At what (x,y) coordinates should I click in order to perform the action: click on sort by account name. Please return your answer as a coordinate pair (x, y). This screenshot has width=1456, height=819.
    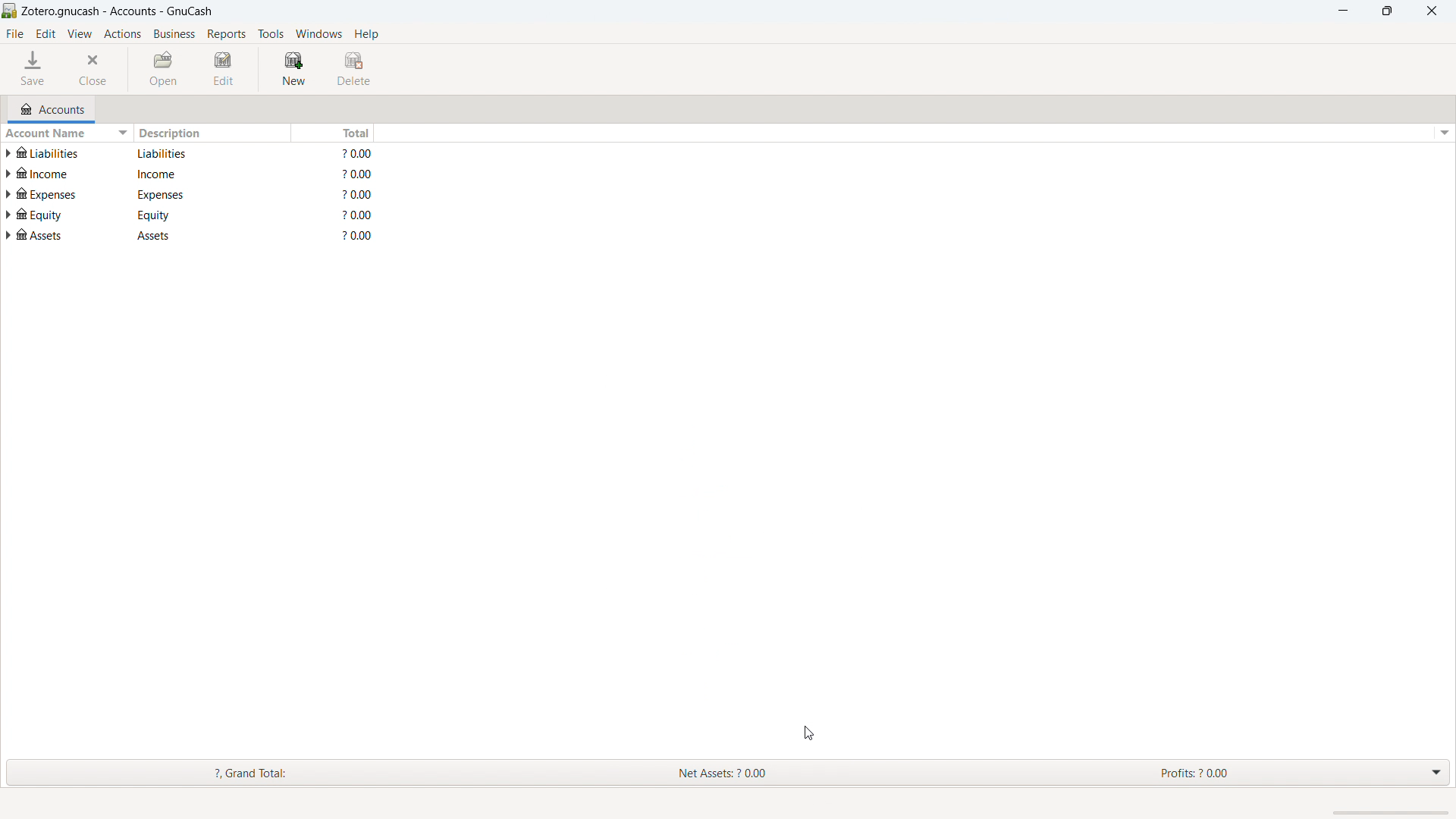
    Looking at the image, I should click on (64, 133).